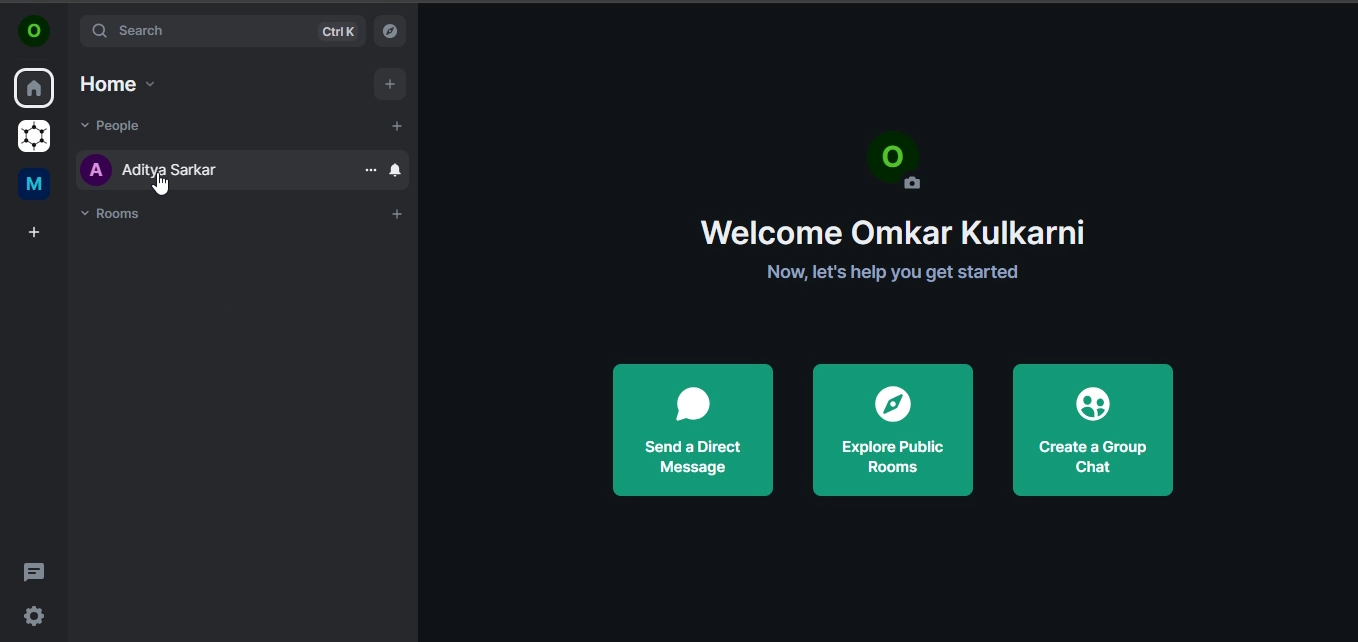 This screenshot has height=642, width=1358. Describe the element at coordinates (390, 30) in the screenshot. I see `explore rooms` at that location.